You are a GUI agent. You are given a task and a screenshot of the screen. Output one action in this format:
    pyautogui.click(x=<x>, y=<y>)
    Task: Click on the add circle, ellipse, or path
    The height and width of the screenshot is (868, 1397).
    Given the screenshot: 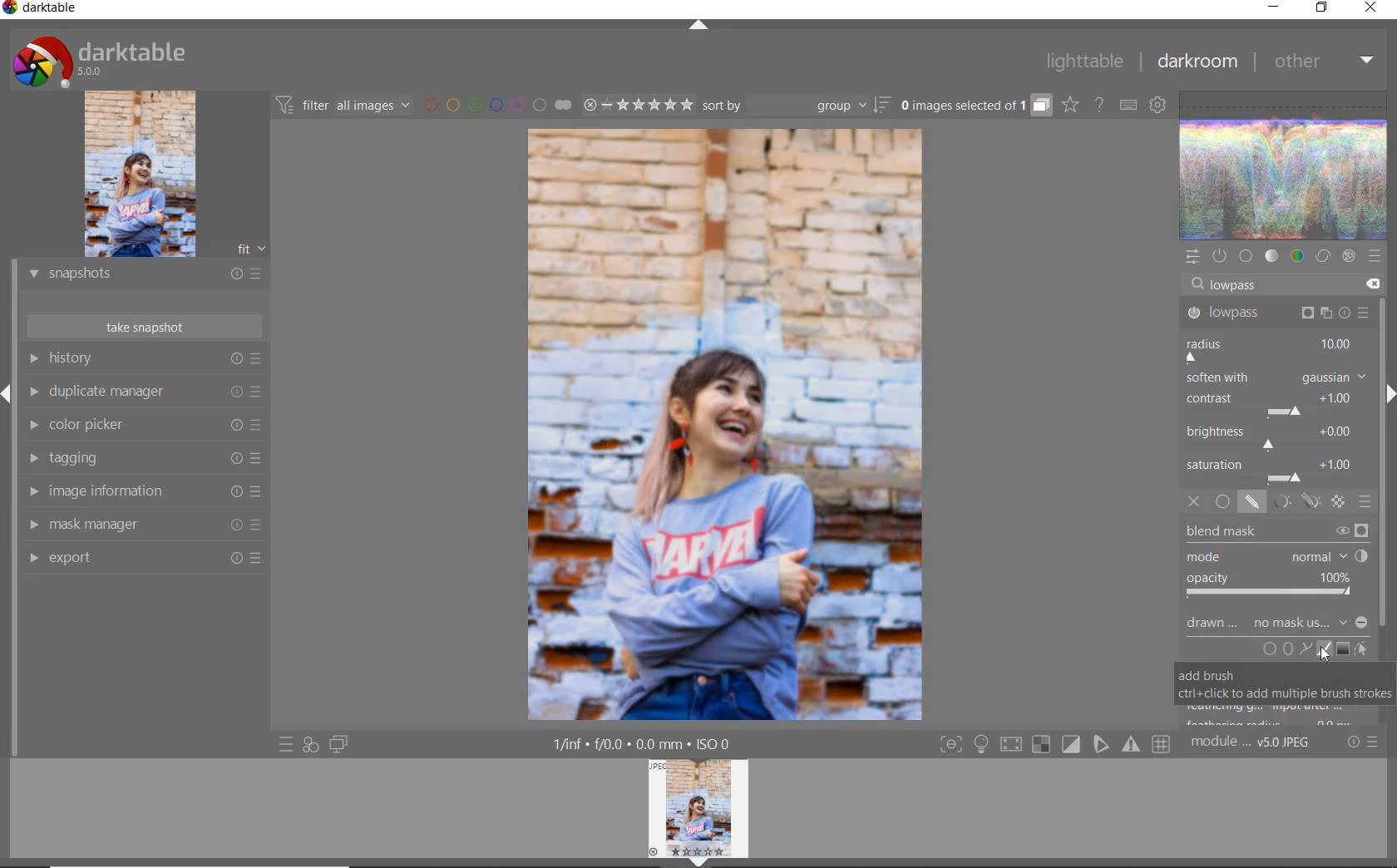 What is the action you would take?
    pyautogui.click(x=1287, y=650)
    